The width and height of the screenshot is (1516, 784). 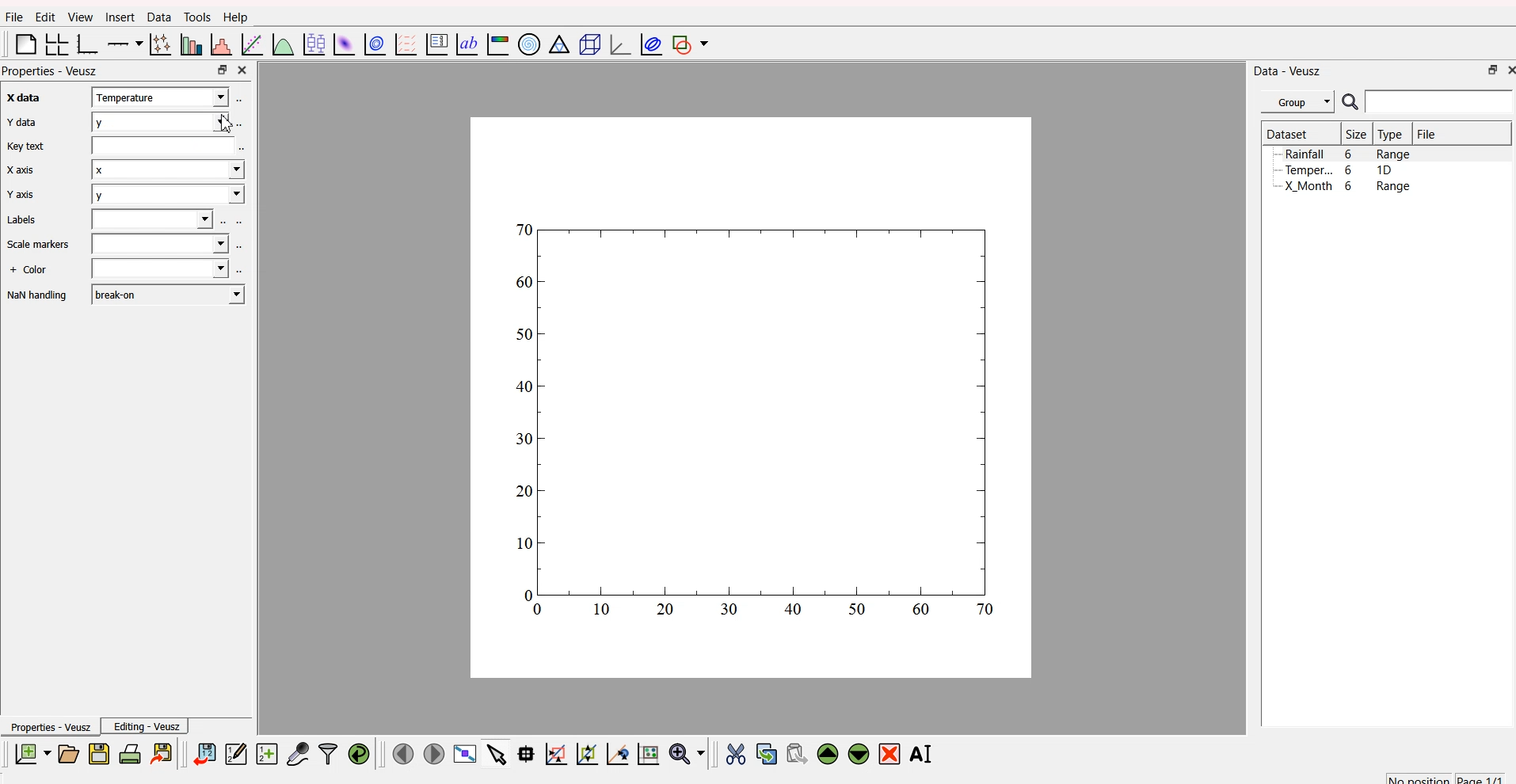 I want to click on draw points, so click(x=584, y=754).